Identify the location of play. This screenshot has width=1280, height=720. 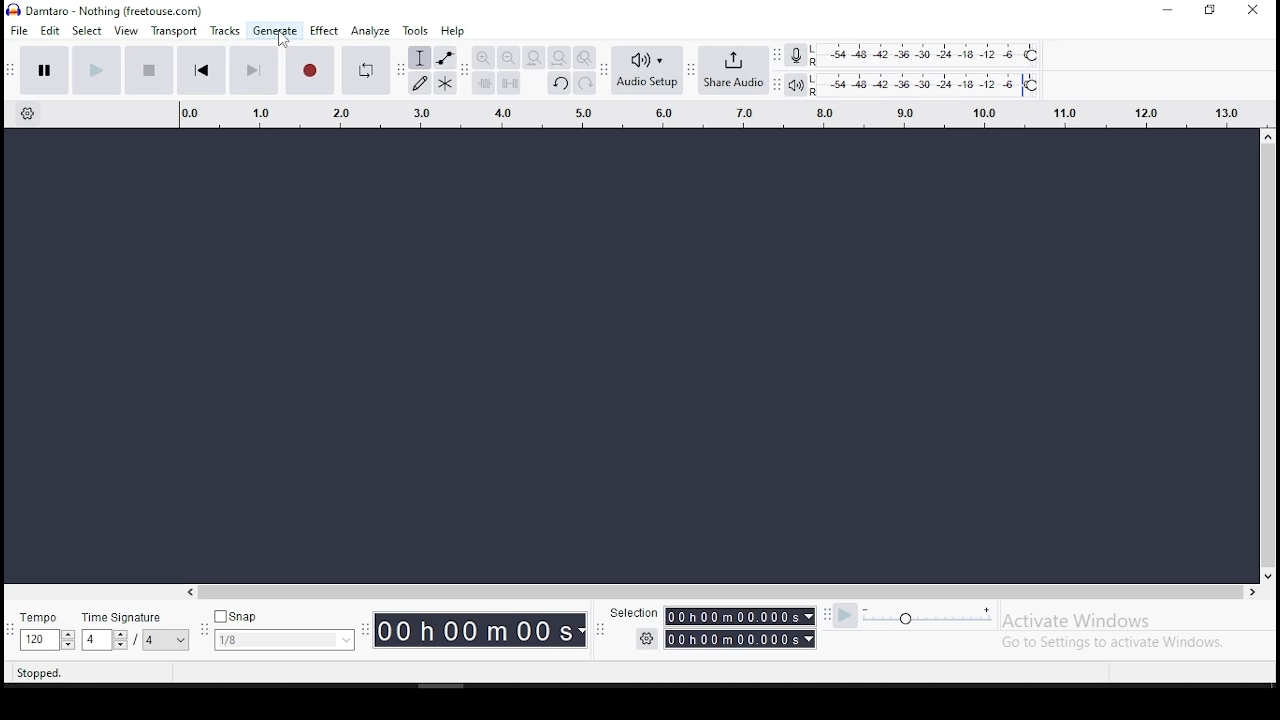
(98, 69).